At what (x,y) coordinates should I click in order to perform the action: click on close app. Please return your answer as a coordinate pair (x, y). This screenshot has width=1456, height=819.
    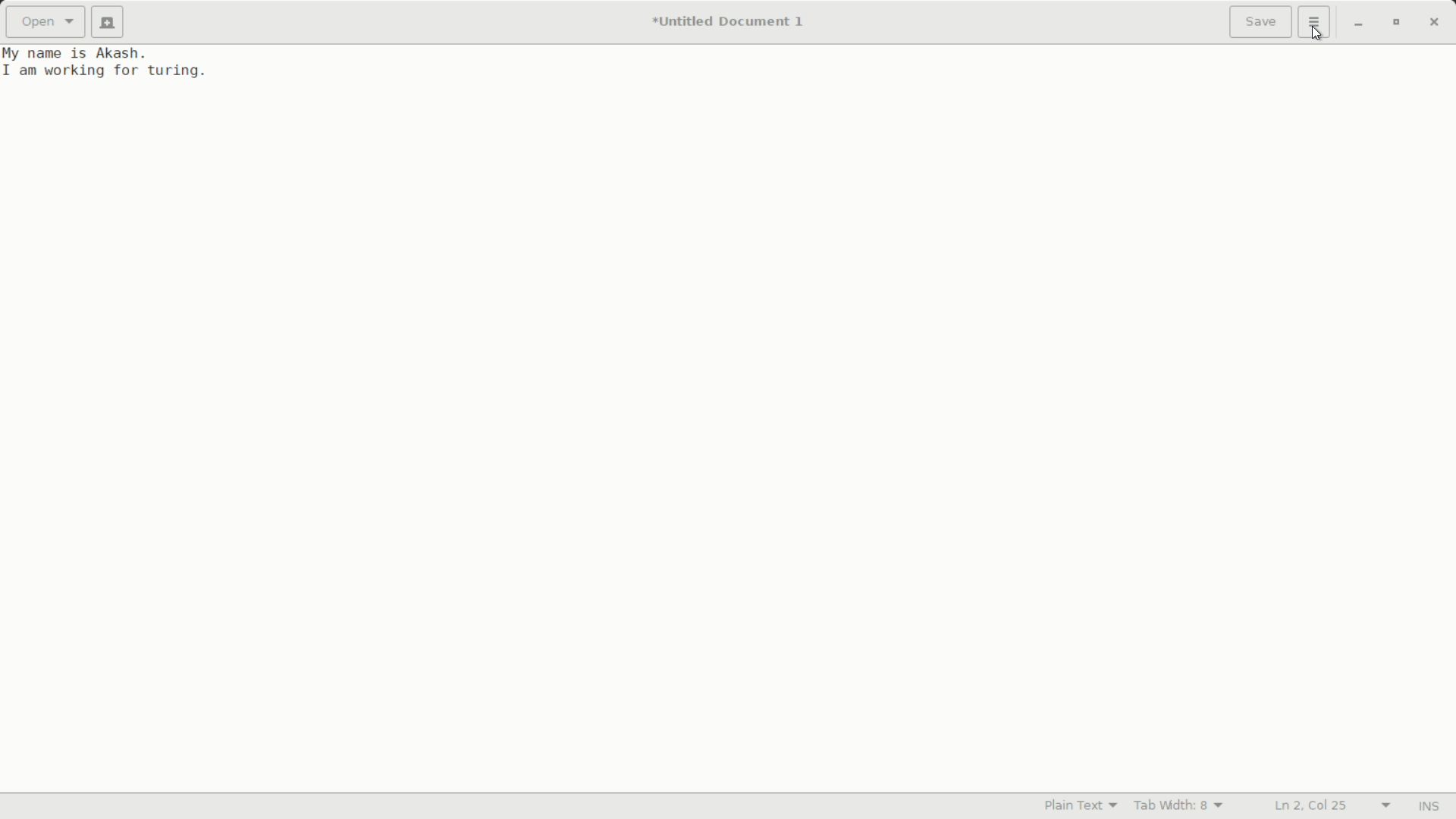
    Looking at the image, I should click on (1437, 24).